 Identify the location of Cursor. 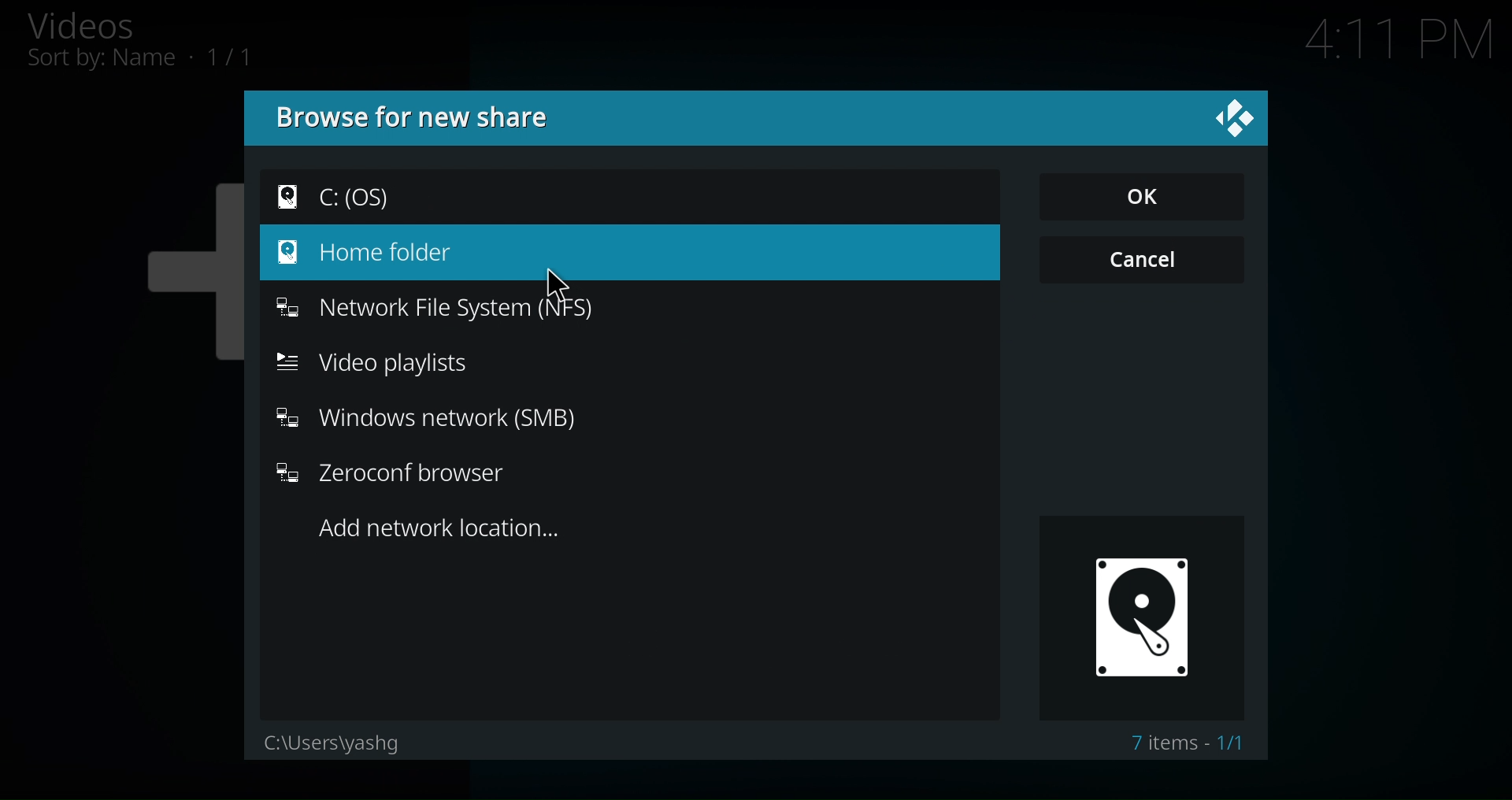
(558, 280).